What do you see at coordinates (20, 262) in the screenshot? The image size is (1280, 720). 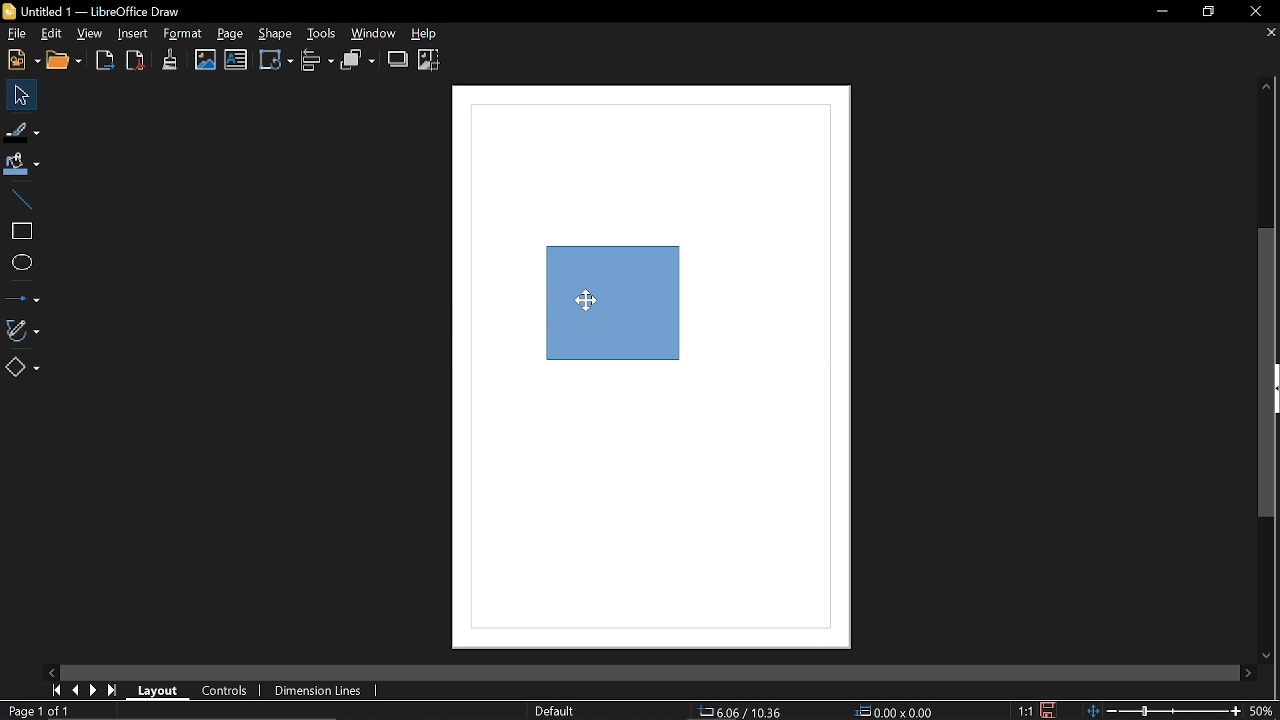 I see `Ellipse` at bounding box center [20, 262].